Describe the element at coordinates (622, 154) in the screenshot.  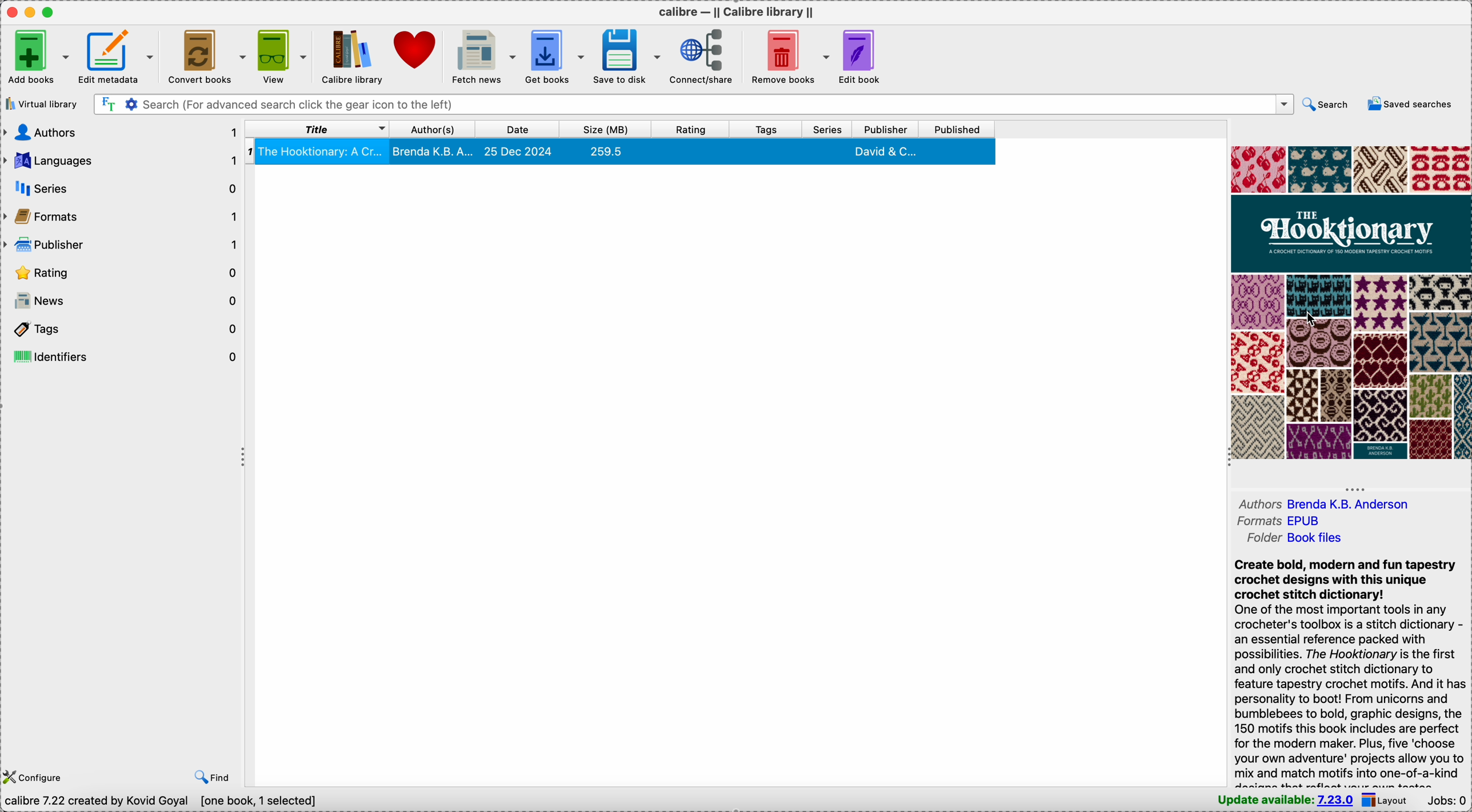
I see `book selected` at that location.